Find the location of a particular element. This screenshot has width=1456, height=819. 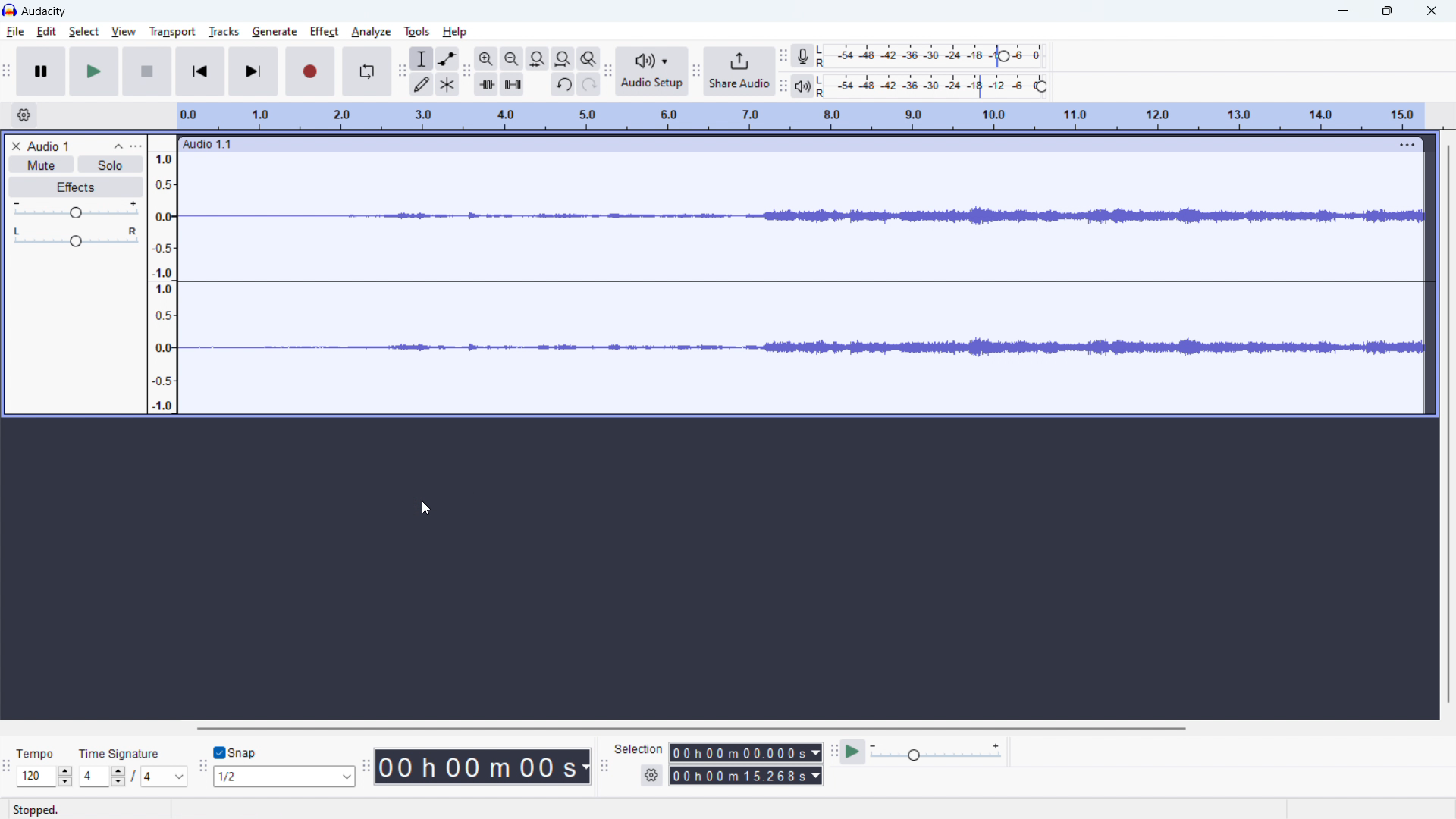

zoom out is located at coordinates (511, 58).